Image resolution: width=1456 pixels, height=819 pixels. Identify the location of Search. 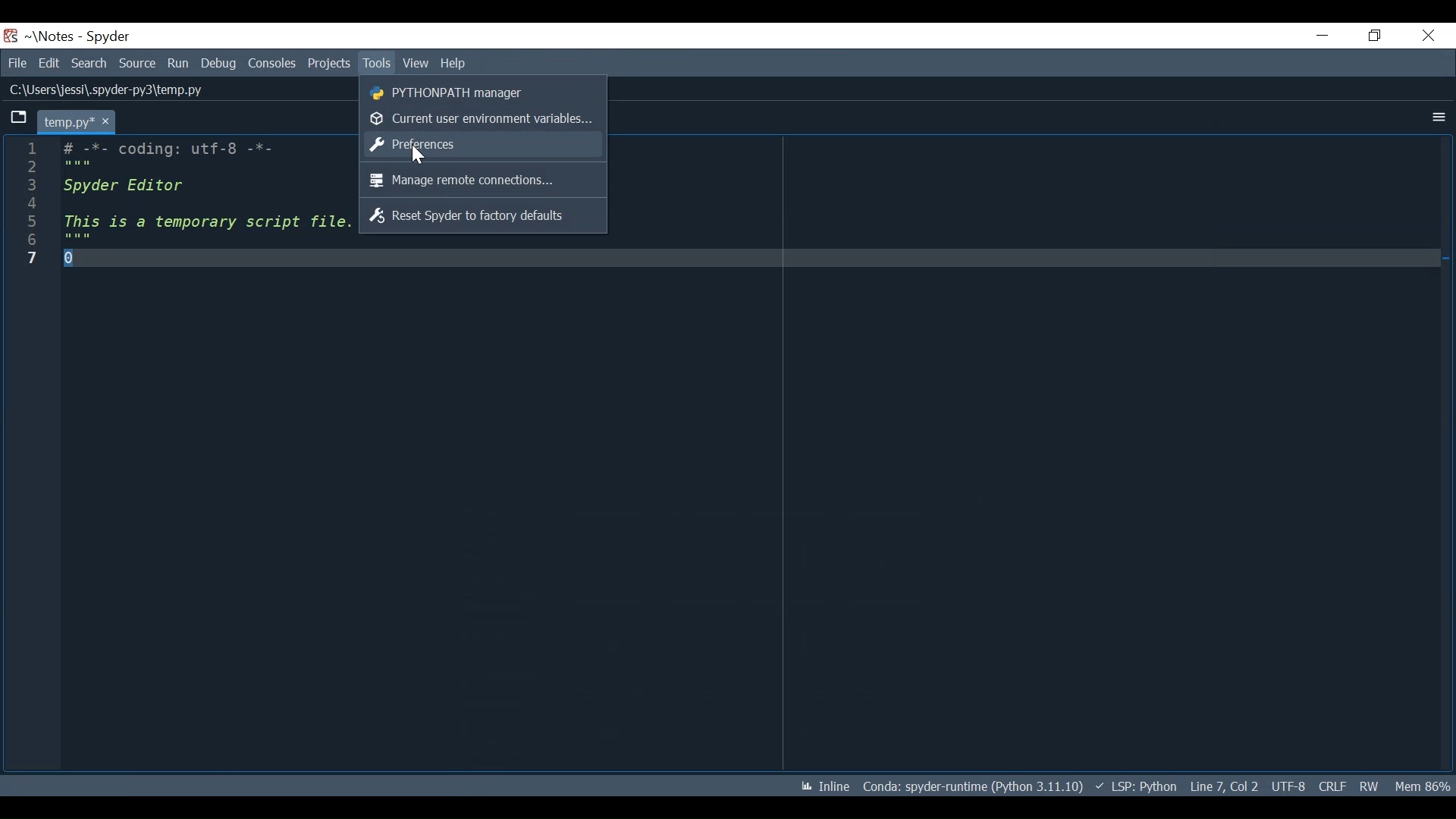
(89, 64).